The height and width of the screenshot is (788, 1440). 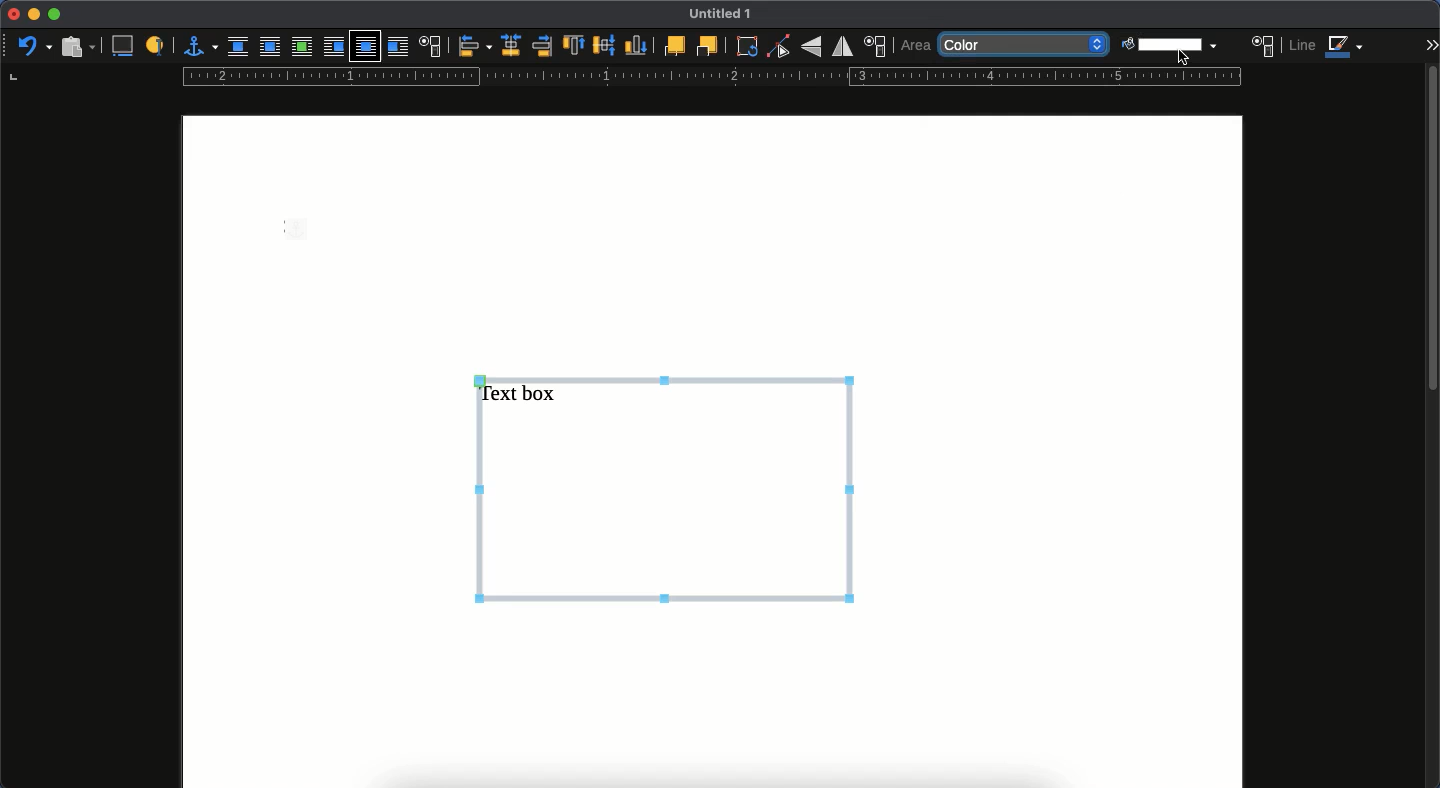 What do you see at coordinates (707, 47) in the screenshot?
I see `back one` at bounding box center [707, 47].